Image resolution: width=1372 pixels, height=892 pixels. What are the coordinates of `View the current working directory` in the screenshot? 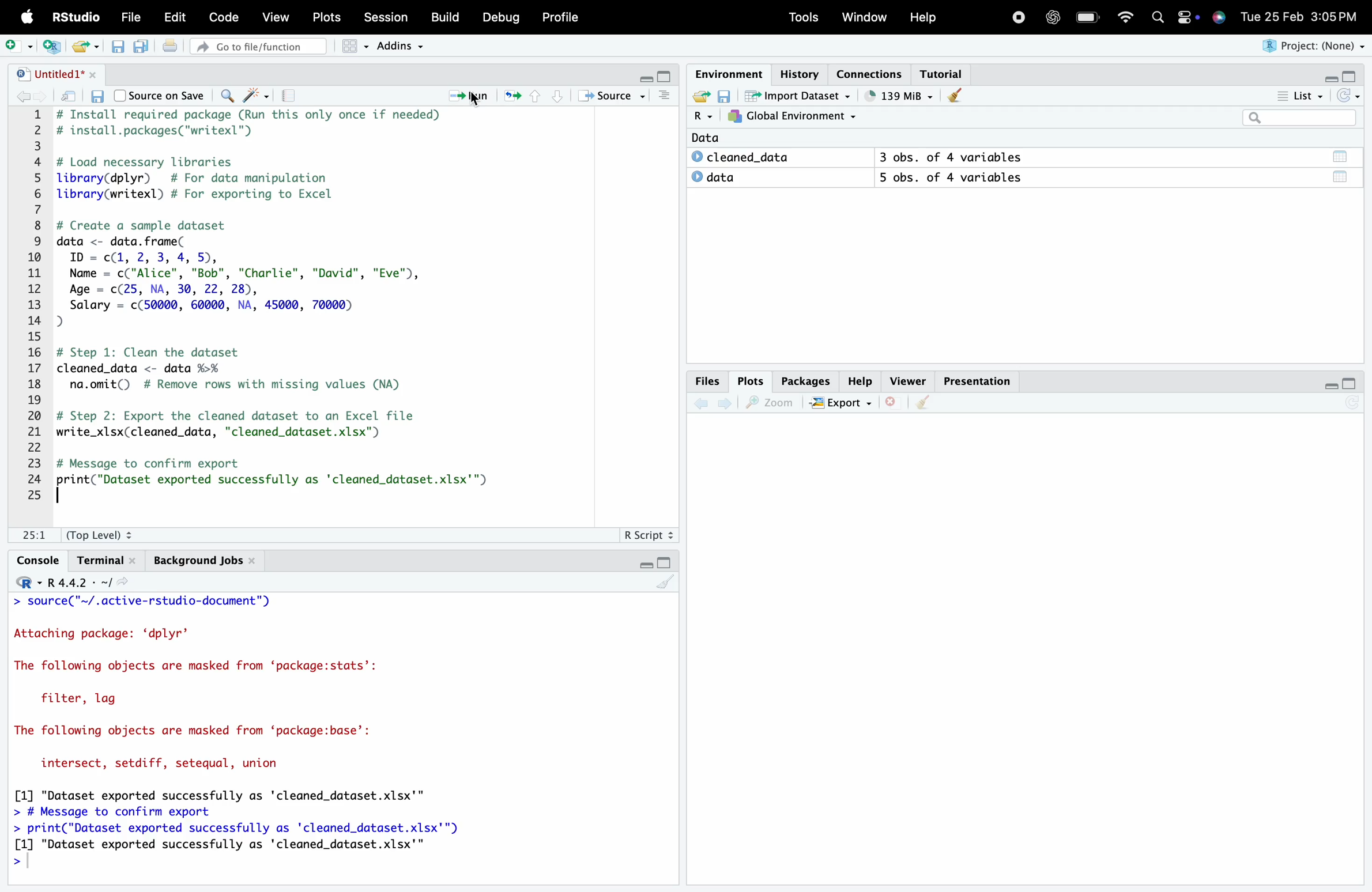 It's located at (125, 581).